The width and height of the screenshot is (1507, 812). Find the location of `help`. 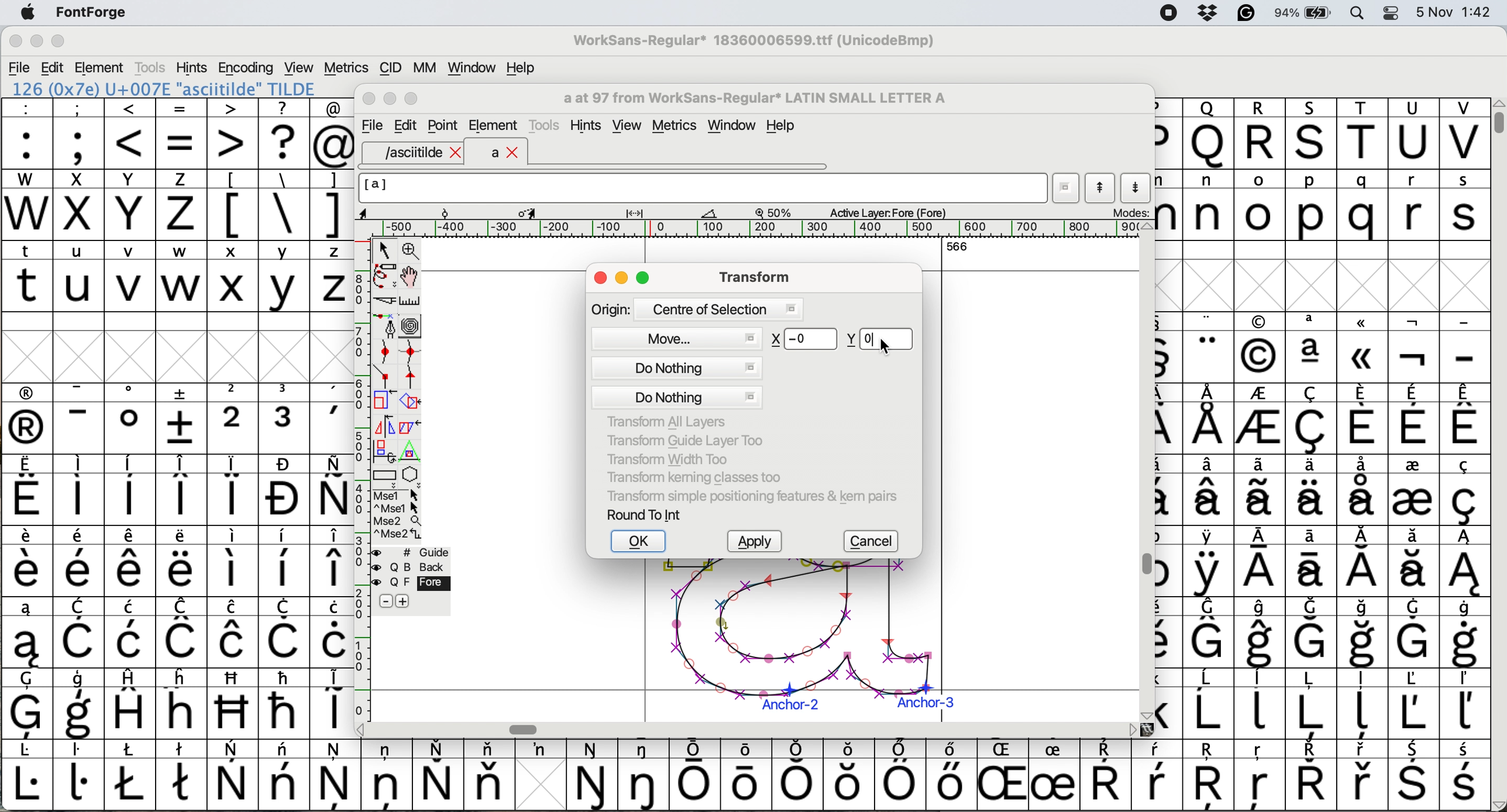

help is located at coordinates (522, 67).